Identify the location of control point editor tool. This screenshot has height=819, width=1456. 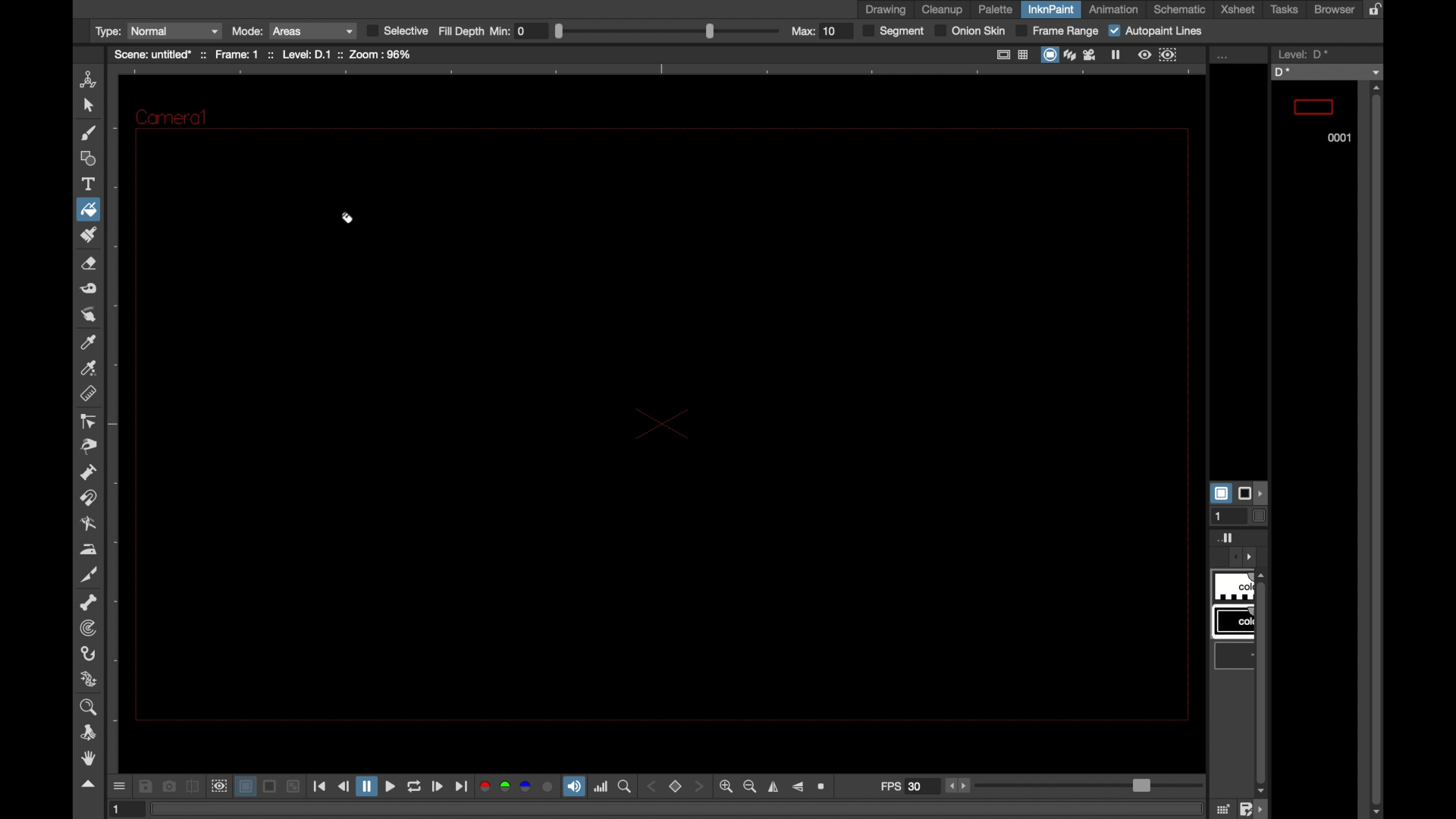
(87, 421).